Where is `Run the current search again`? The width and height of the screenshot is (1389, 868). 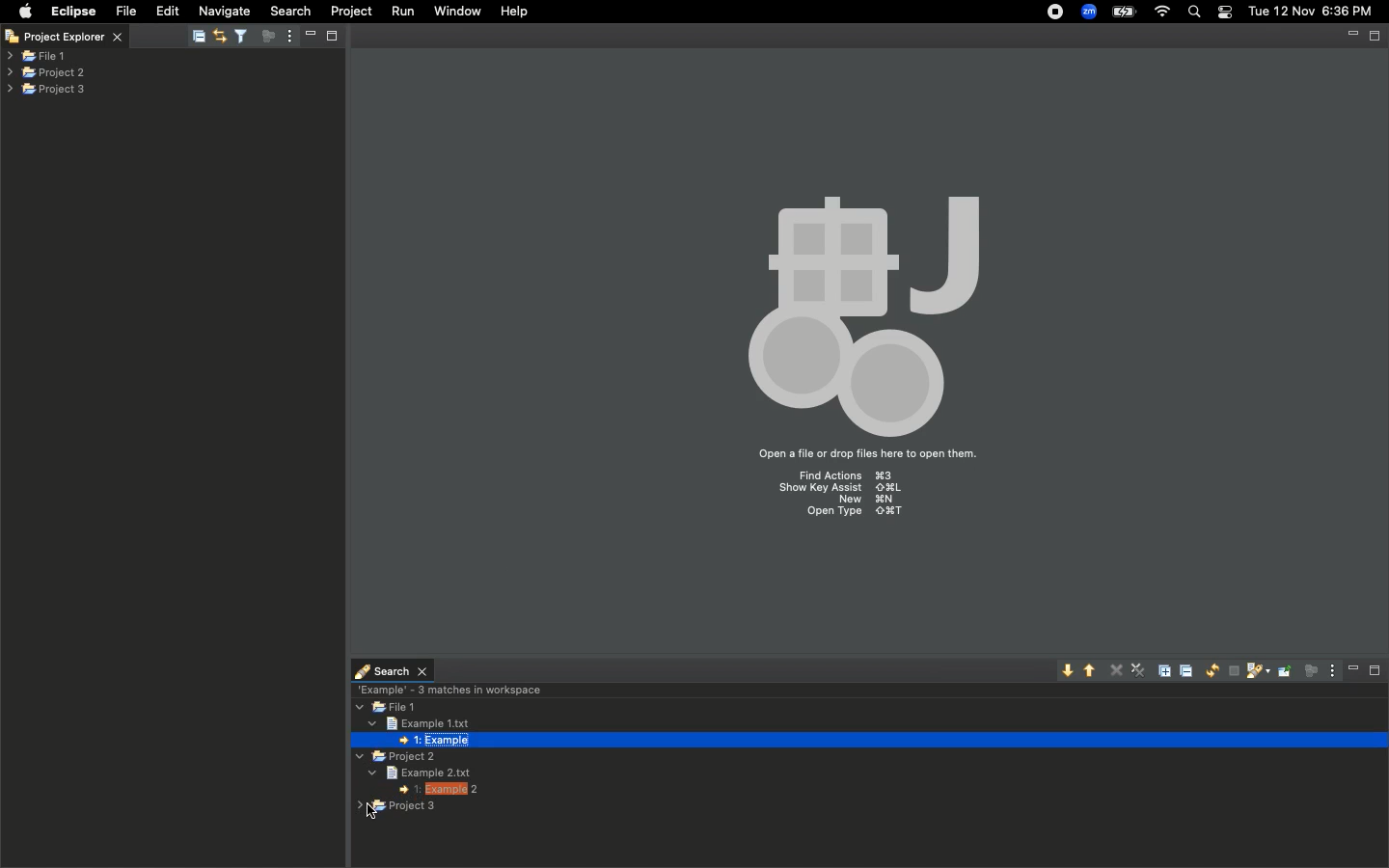 Run the current search again is located at coordinates (1208, 670).